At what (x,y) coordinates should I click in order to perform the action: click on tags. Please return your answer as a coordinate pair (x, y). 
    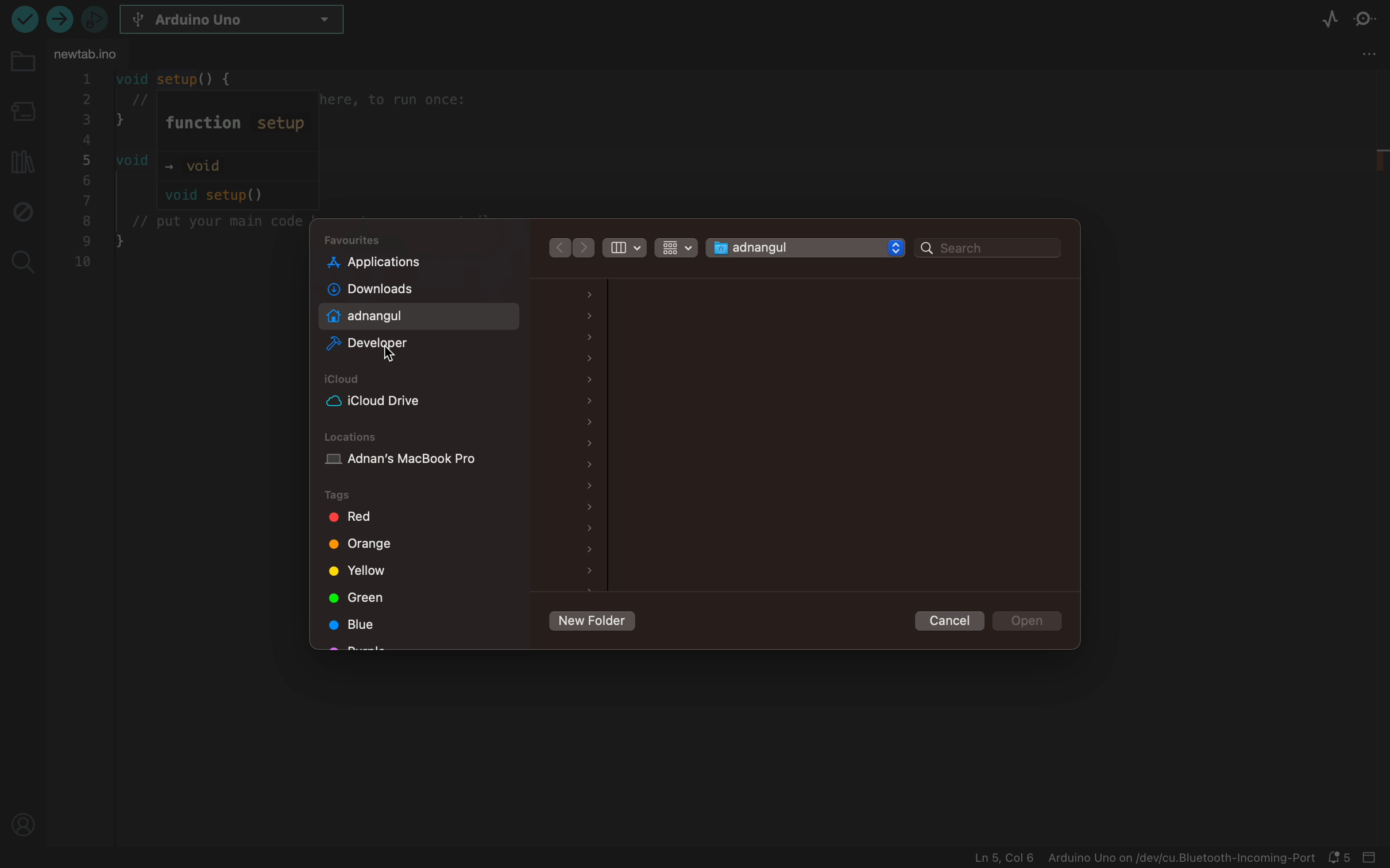
    Looking at the image, I should click on (364, 547).